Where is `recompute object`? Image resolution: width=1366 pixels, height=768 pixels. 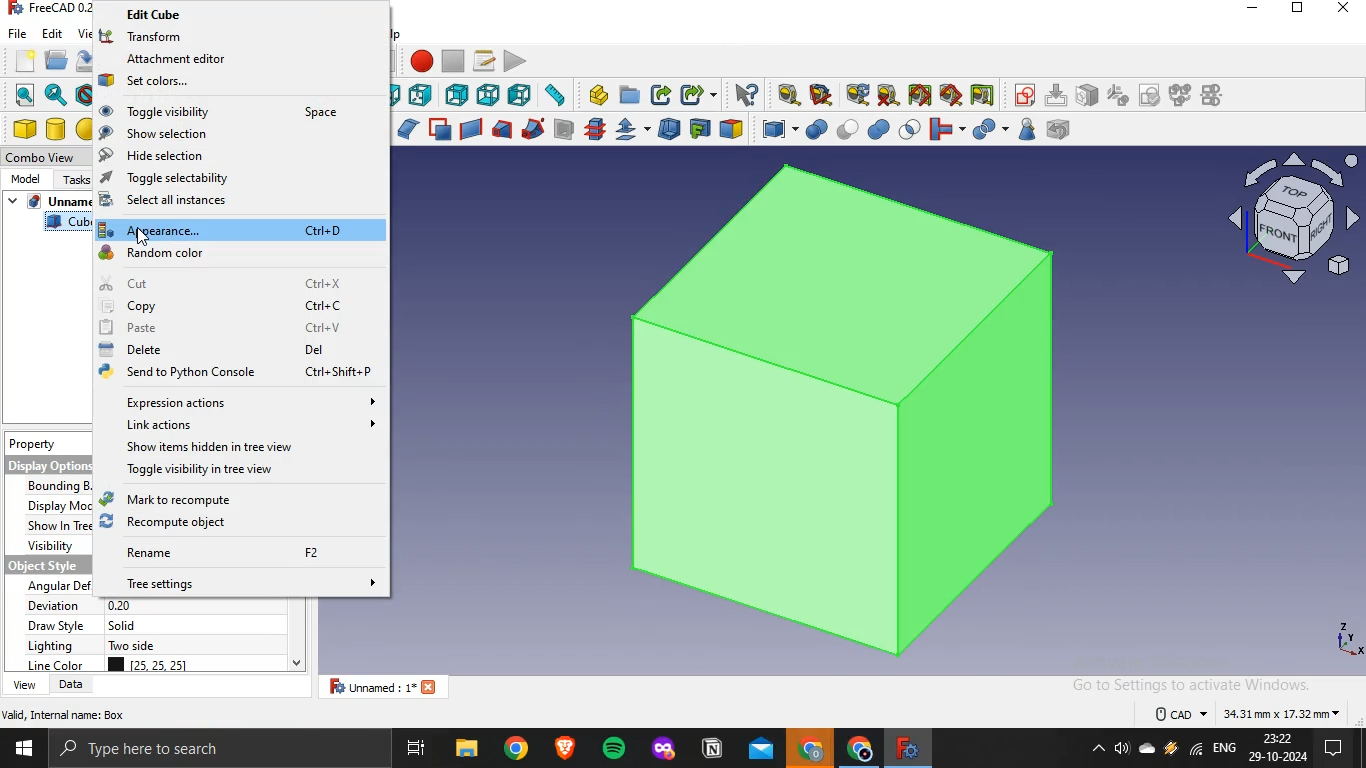
recompute object is located at coordinates (231, 522).